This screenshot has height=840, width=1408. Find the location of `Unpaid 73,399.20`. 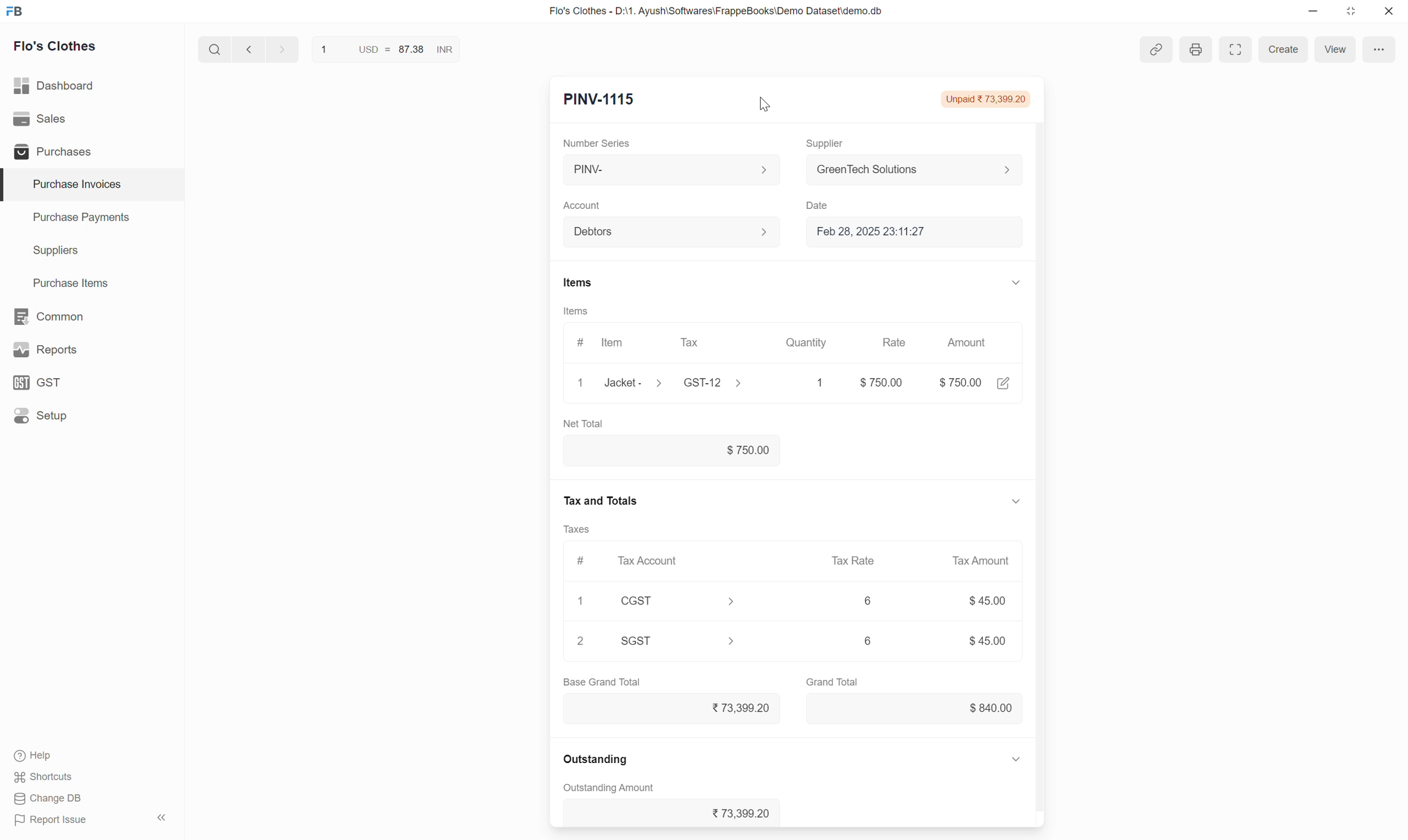

Unpaid 73,399.20 is located at coordinates (986, 100).